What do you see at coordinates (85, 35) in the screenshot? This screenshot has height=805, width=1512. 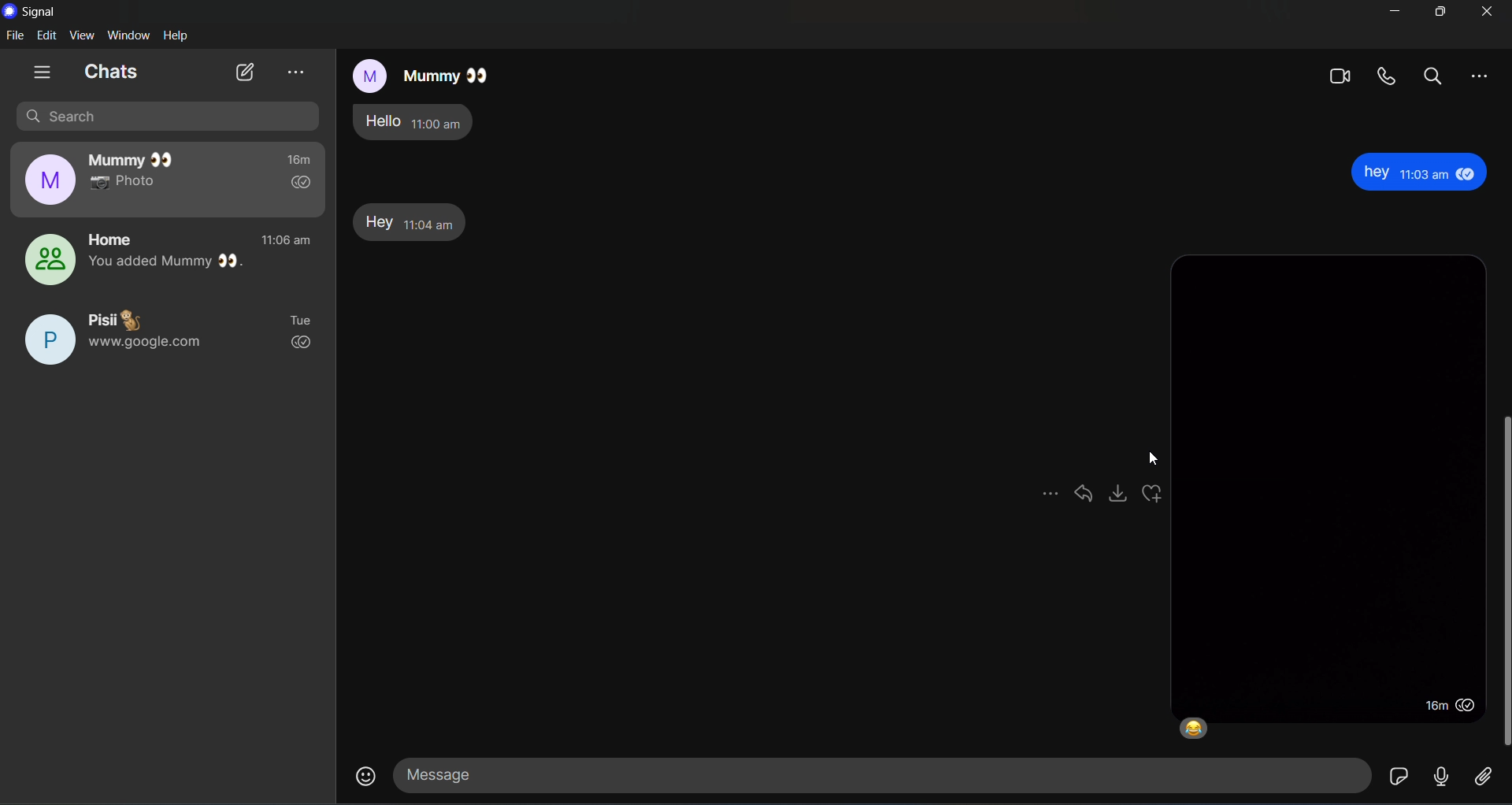 I see `view` at bounding box center [85, 35].